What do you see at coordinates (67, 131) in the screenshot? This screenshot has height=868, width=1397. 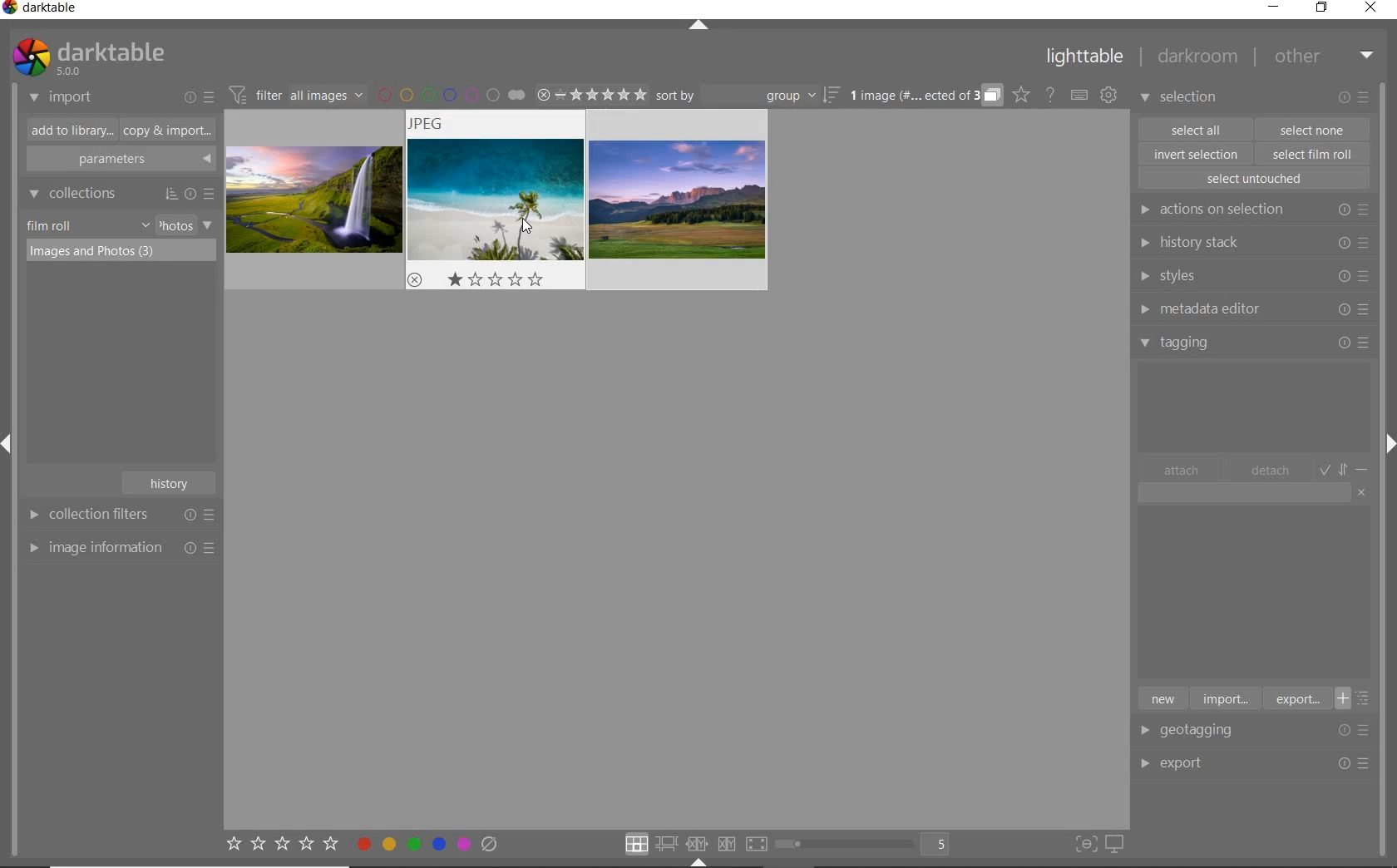 I see `add to library` at bounding box center [67, 131].